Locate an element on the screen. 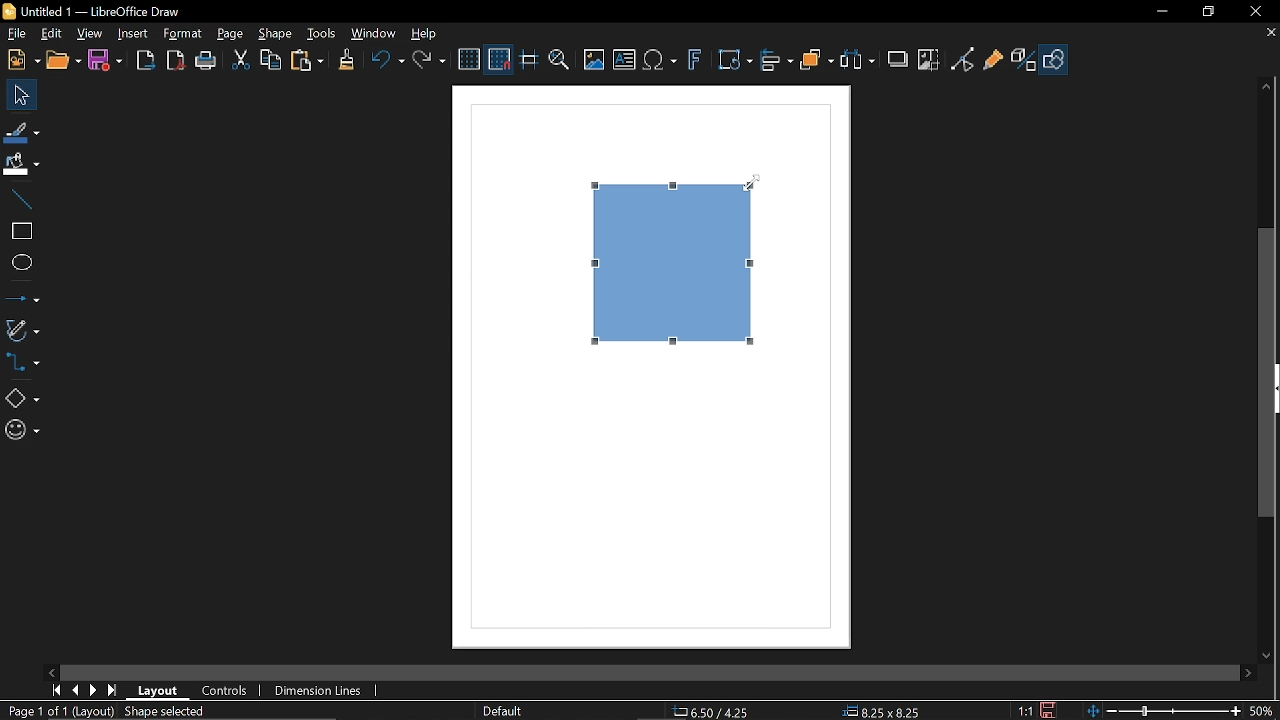 The height and width of the screenshot is (720, 1280). Zoom is located at coordinates (557, 61).